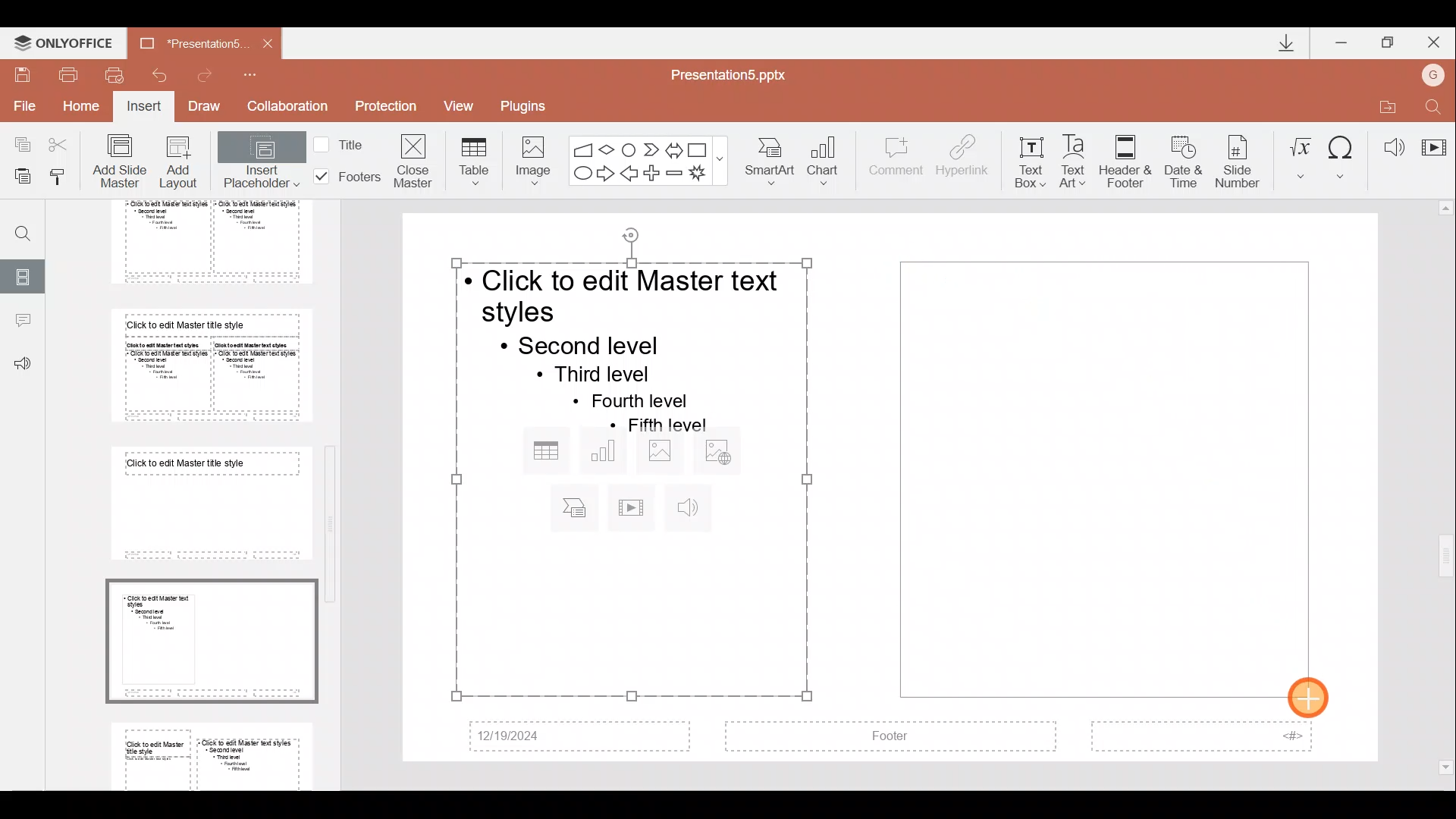  What do you see at coordinates (210, 638) in the screenshot?
I see `Slide 8` at bounding box center [210, 638].